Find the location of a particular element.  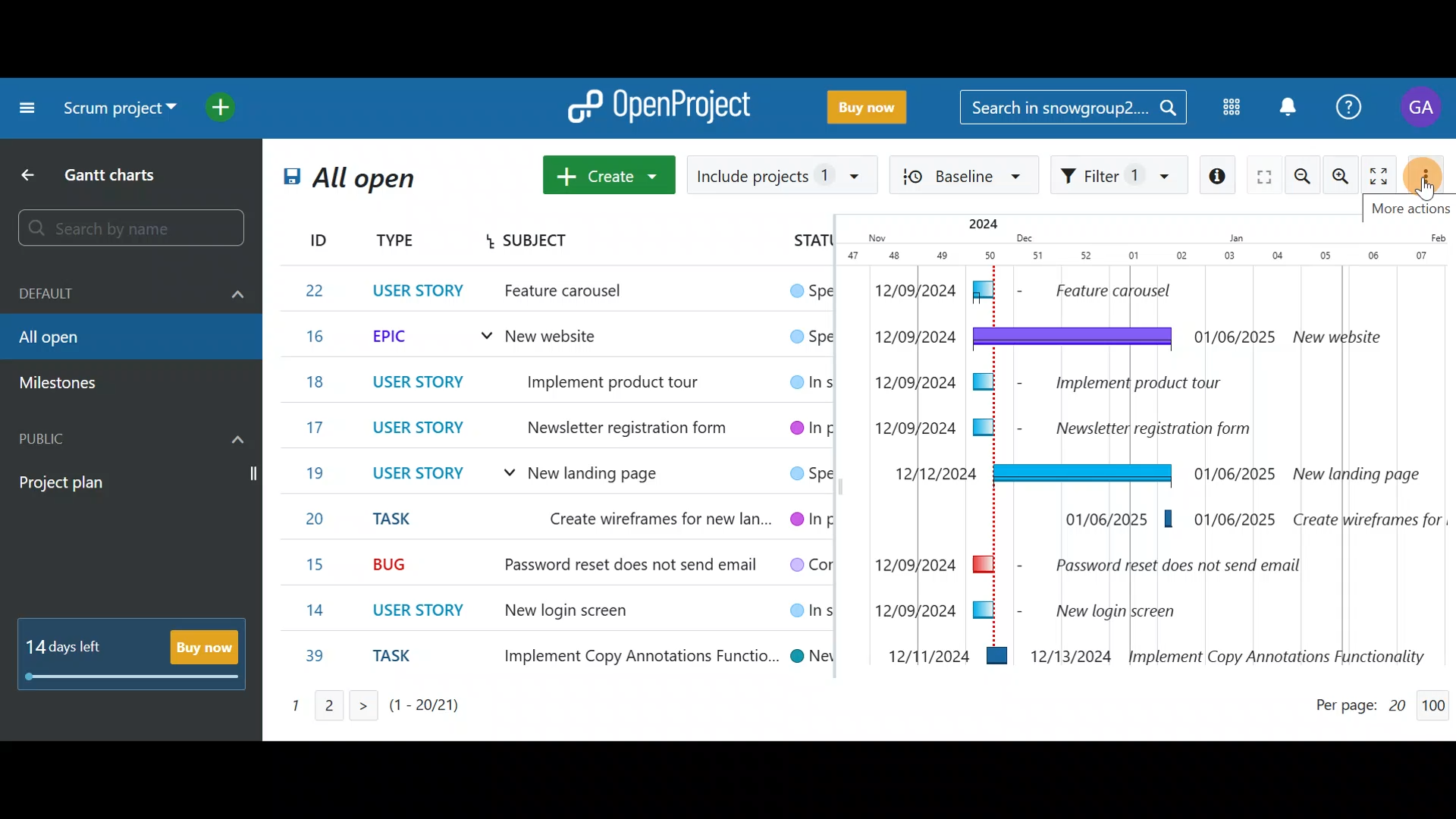

Subject is located at coordinates (529, 242).